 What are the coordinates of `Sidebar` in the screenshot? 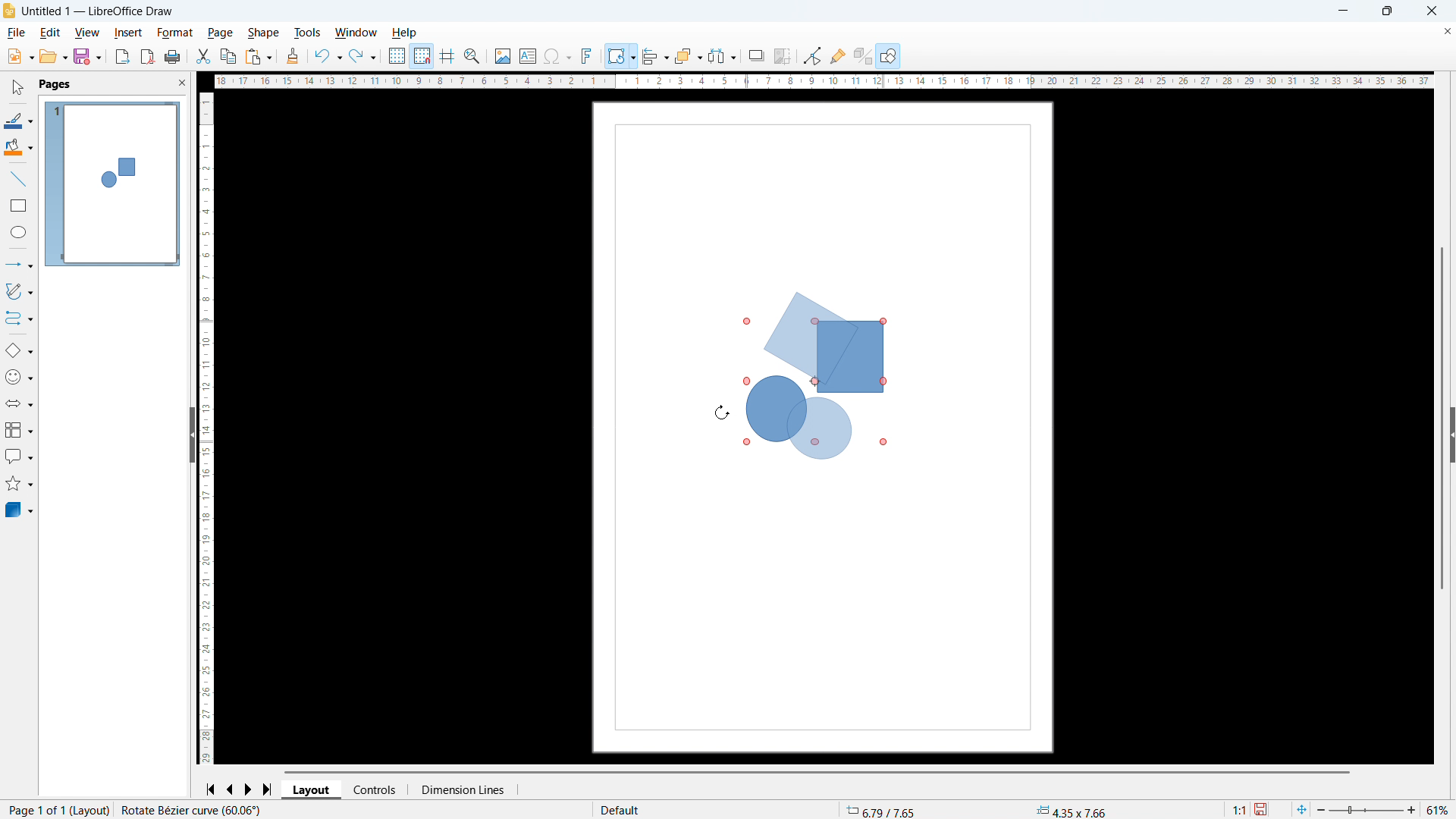 It's located at (187, 434).